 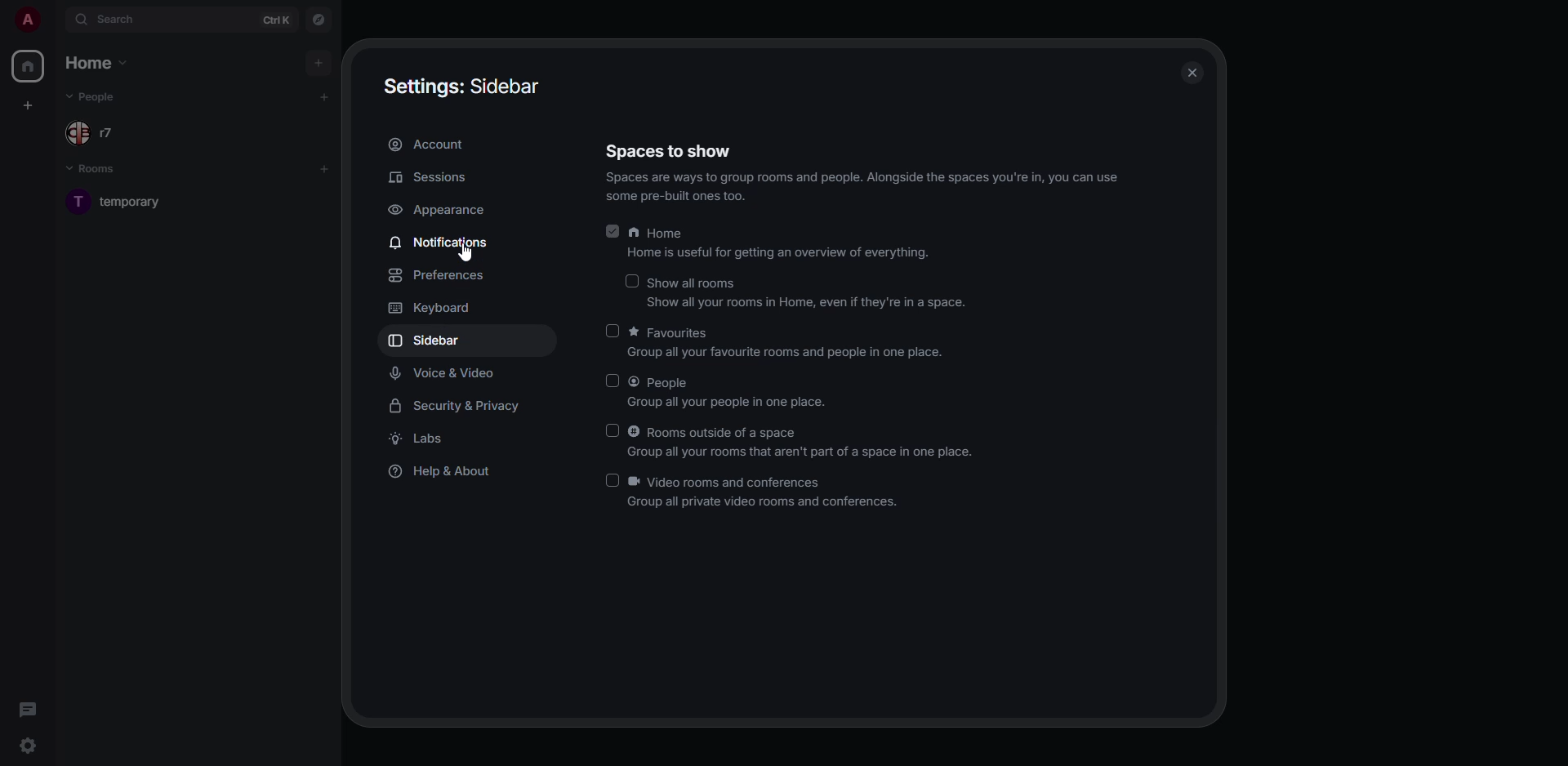 What do you see at coordinates (26, 709) in the screenshot?
I see `threads` at bounding box center [26, 709].